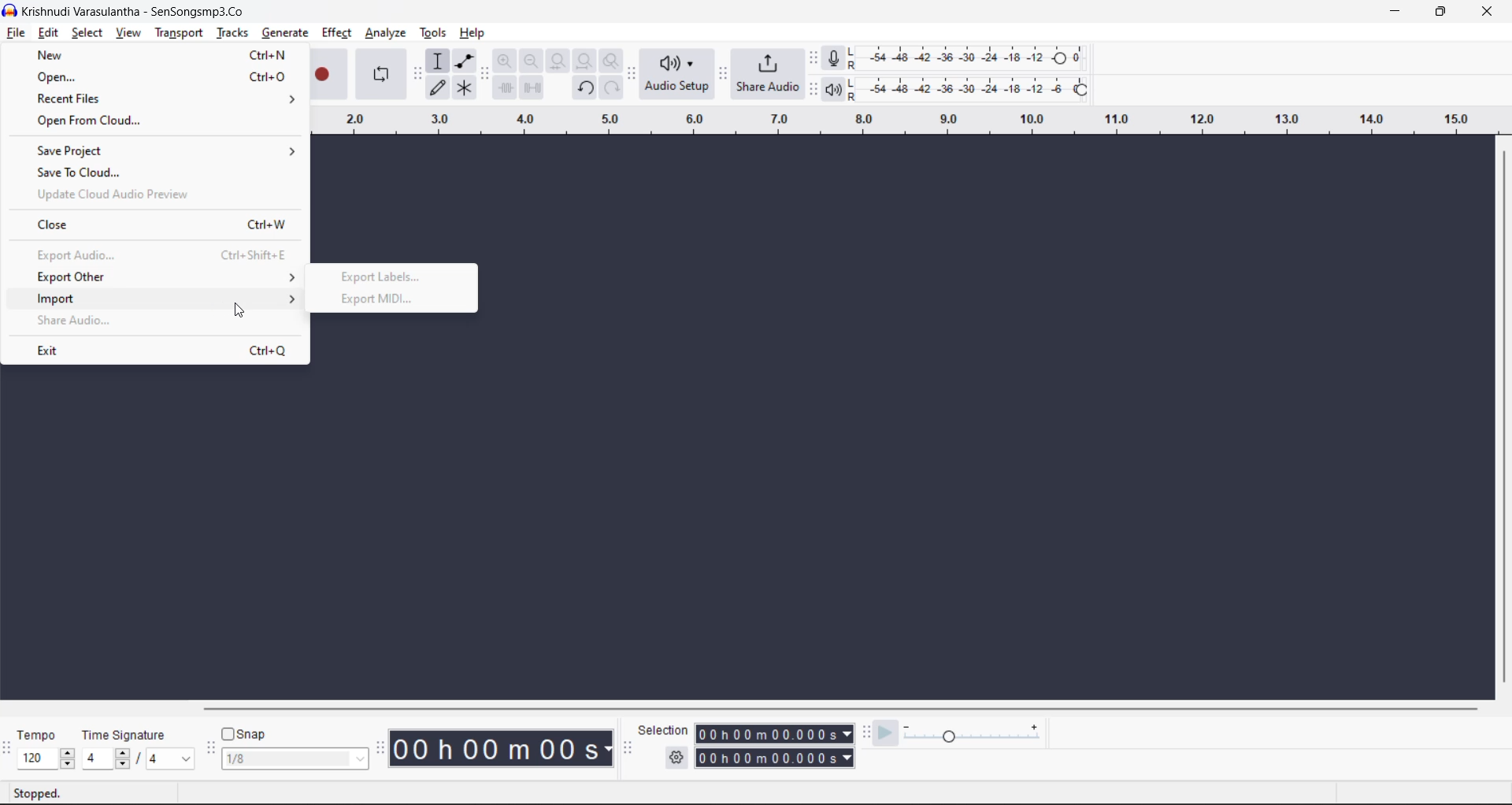 The image size is (1512, 805). Describe the element at coordinates (506, 88) in the screenshot. I see `trim audio outside selection` at that location.